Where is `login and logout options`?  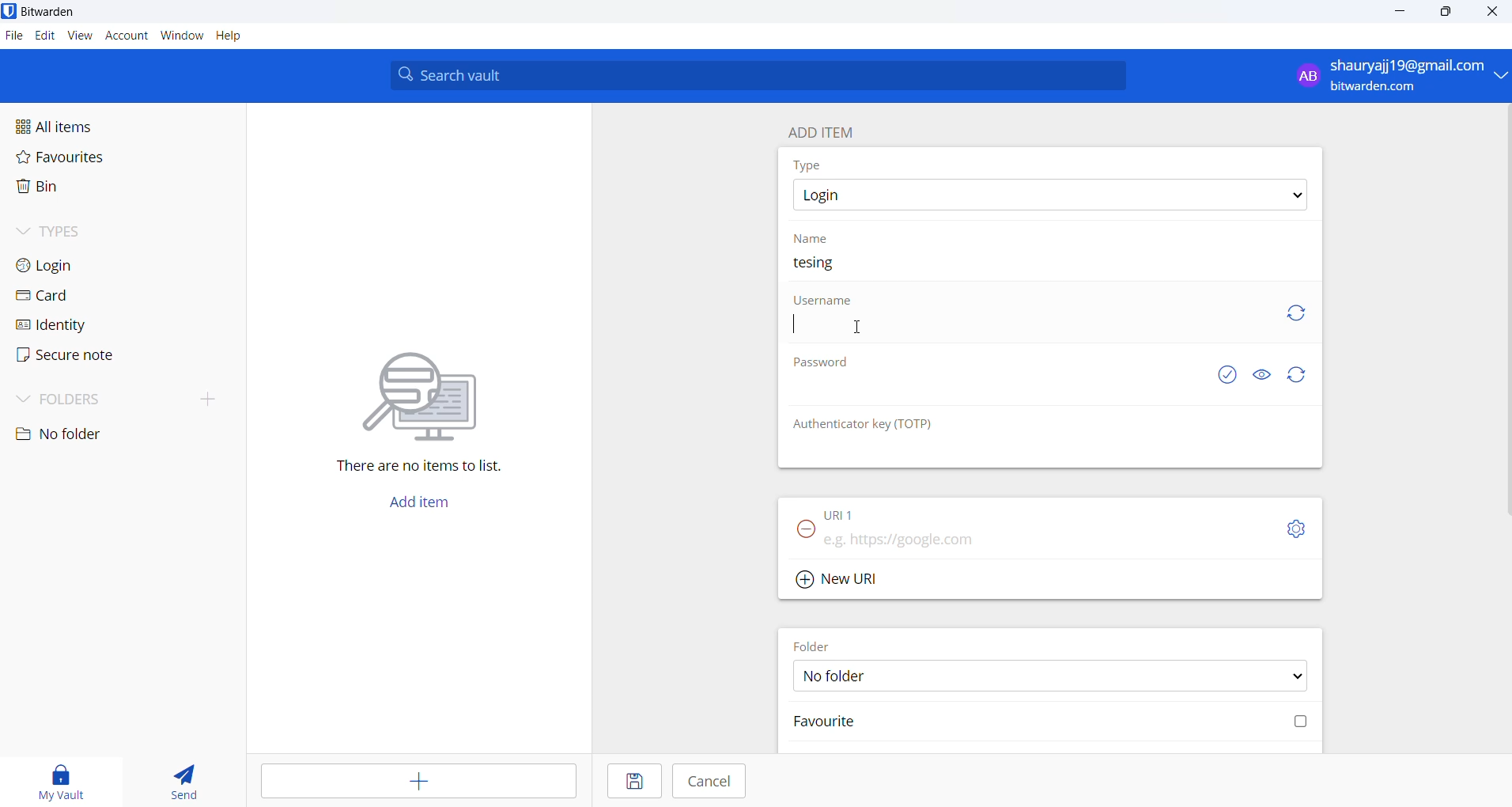
login and logout options is located at coordinates (1400, 77).